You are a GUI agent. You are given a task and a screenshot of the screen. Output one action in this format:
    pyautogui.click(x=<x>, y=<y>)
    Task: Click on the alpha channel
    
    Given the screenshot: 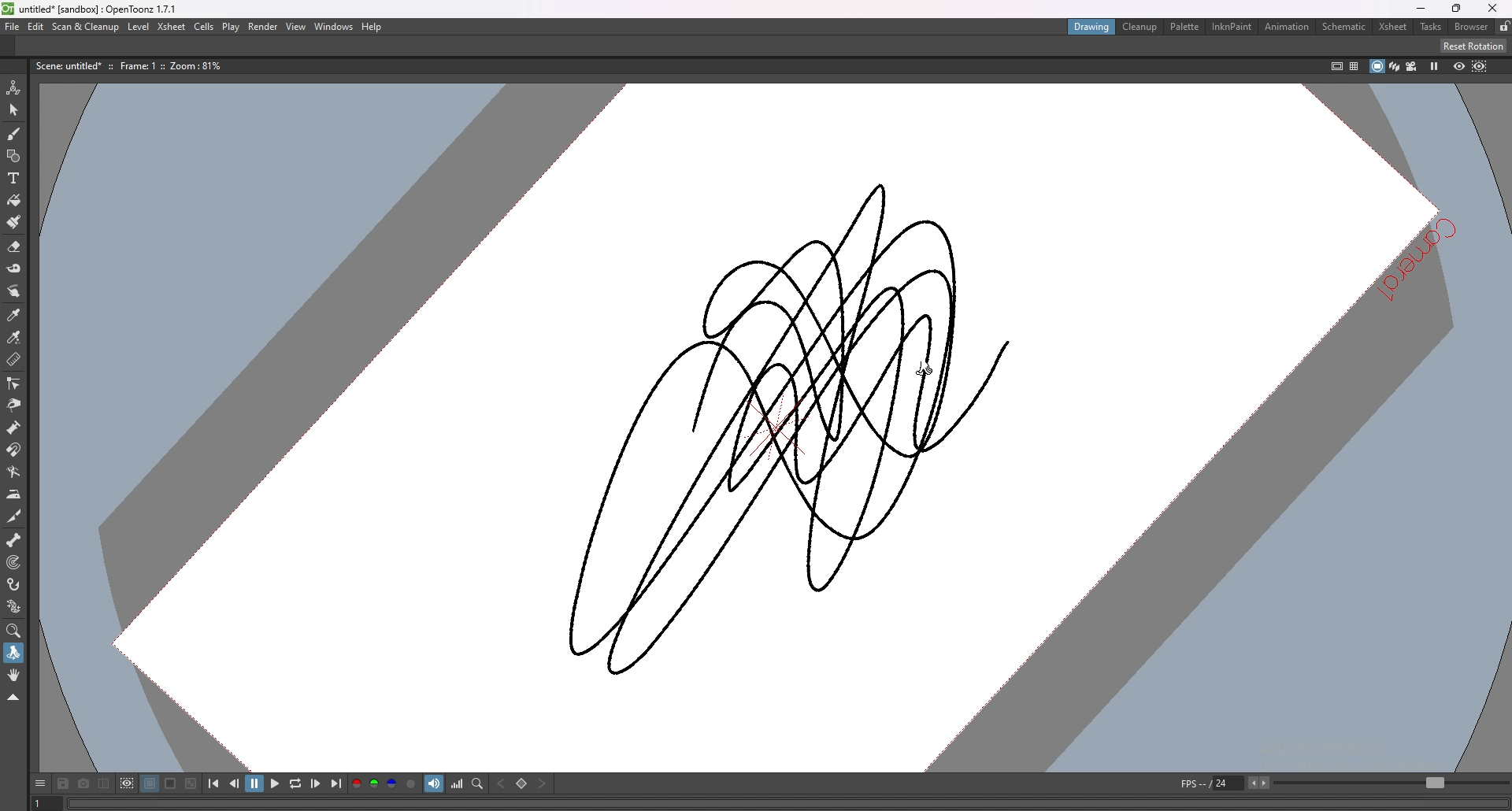 What is the action you would take?
    pyautogui.click(x=411, y=784)
    